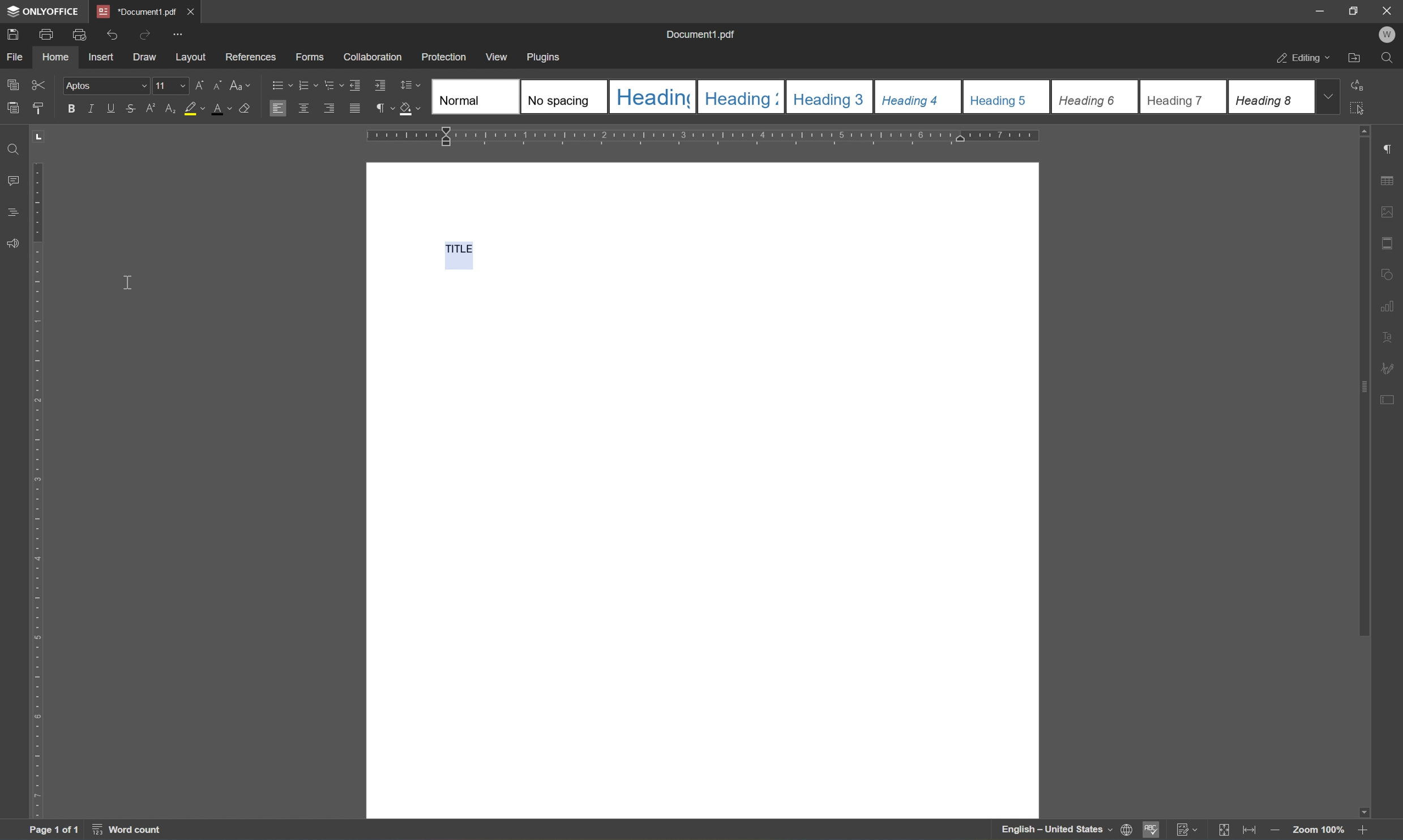 The height and width of the screenshot is (840, 1403). I want to click on chart settings, so click(1392, 303).